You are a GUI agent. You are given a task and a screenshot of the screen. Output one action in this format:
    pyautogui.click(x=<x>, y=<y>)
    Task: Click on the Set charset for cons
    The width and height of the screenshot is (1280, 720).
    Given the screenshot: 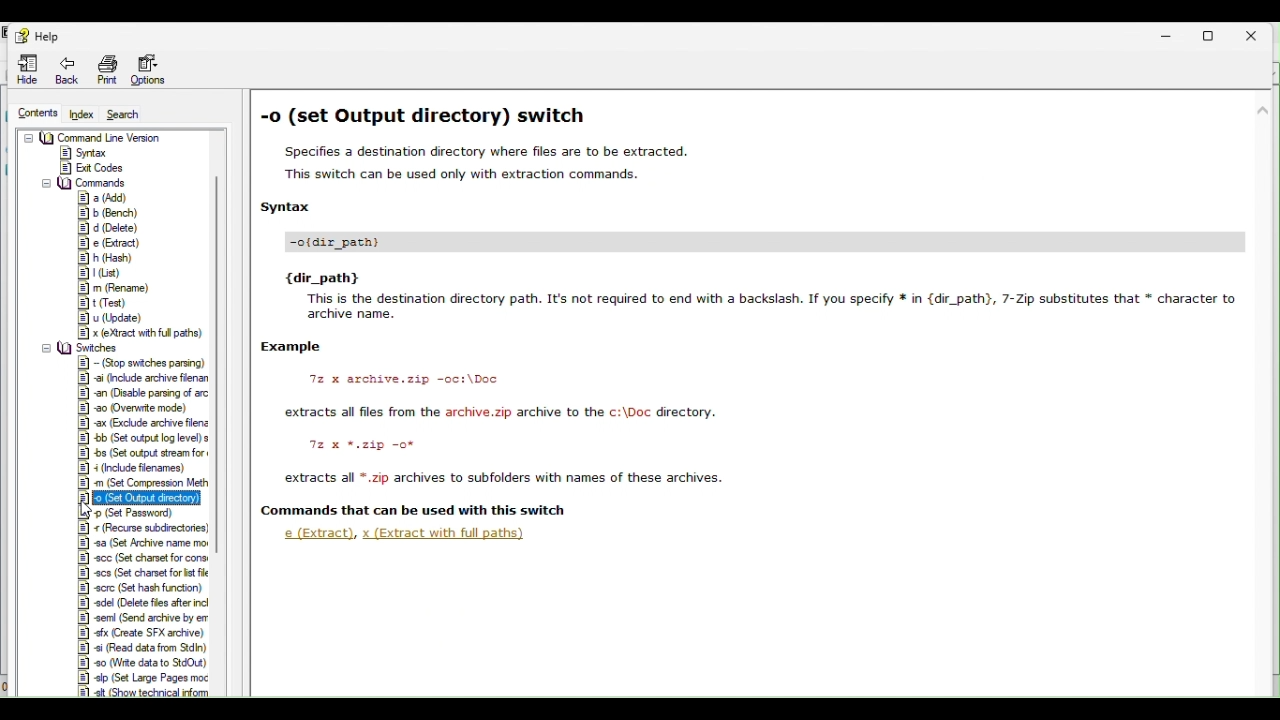 What is the action you would take?
    pyautogui.click(x=142, y=558)
    